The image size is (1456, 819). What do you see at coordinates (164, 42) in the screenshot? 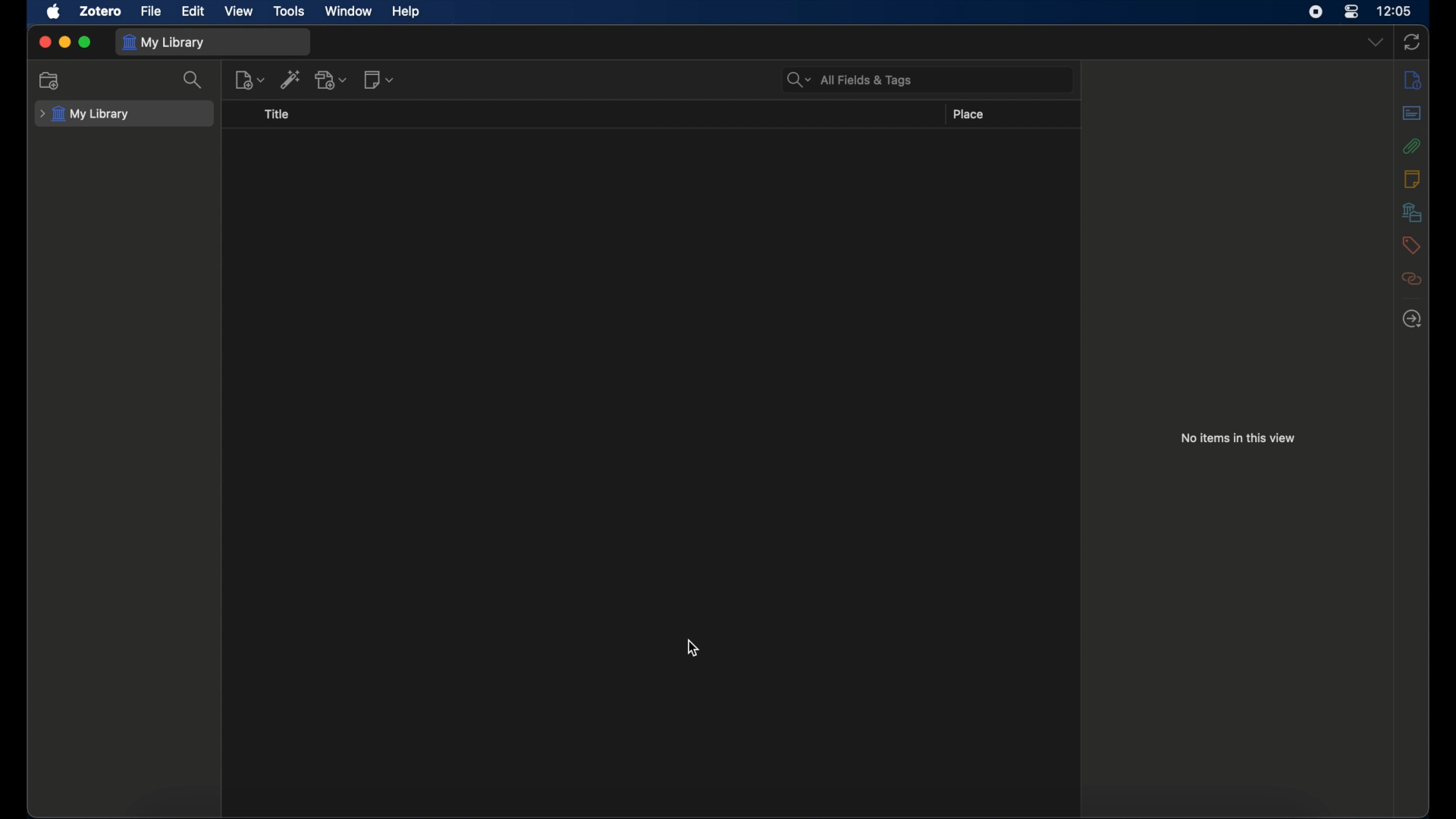
I see `my library` at bounding box center [164, 42].